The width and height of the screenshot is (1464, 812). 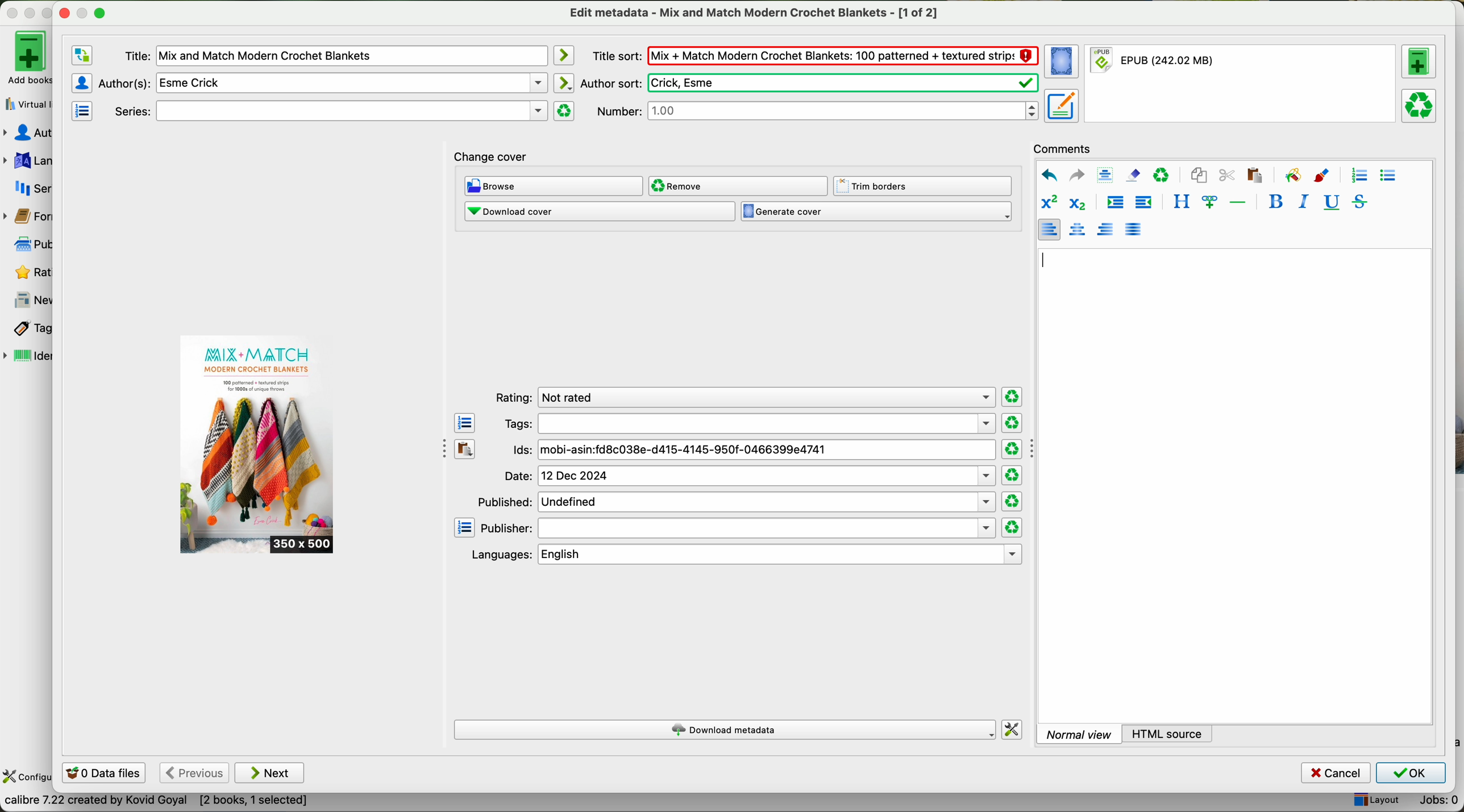 What do you see at coordinates (876, 212) in the screenshot?
I see `generate cover` at bounding box center [876, 212].